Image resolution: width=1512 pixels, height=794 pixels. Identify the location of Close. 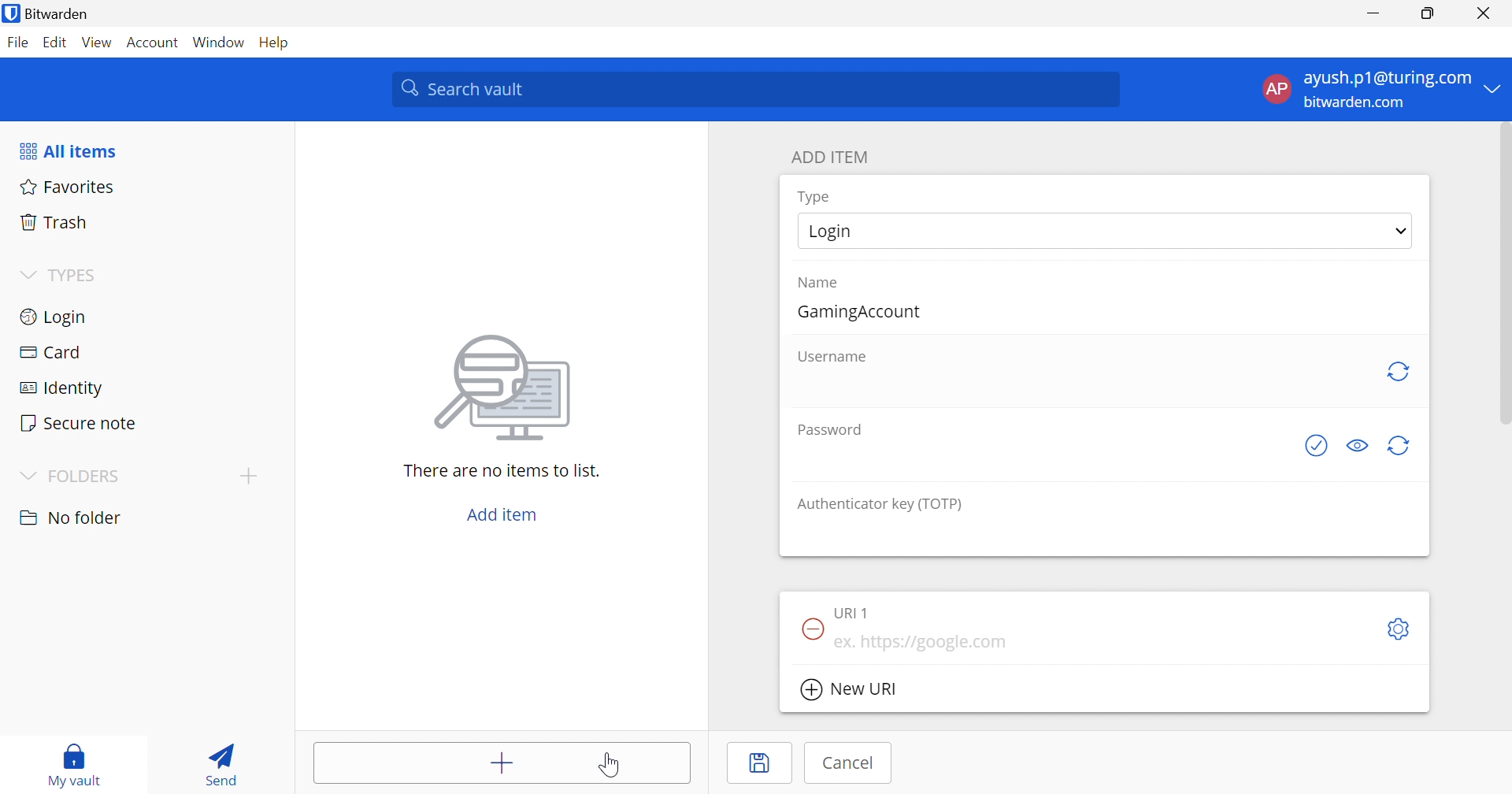
(1486, 15).